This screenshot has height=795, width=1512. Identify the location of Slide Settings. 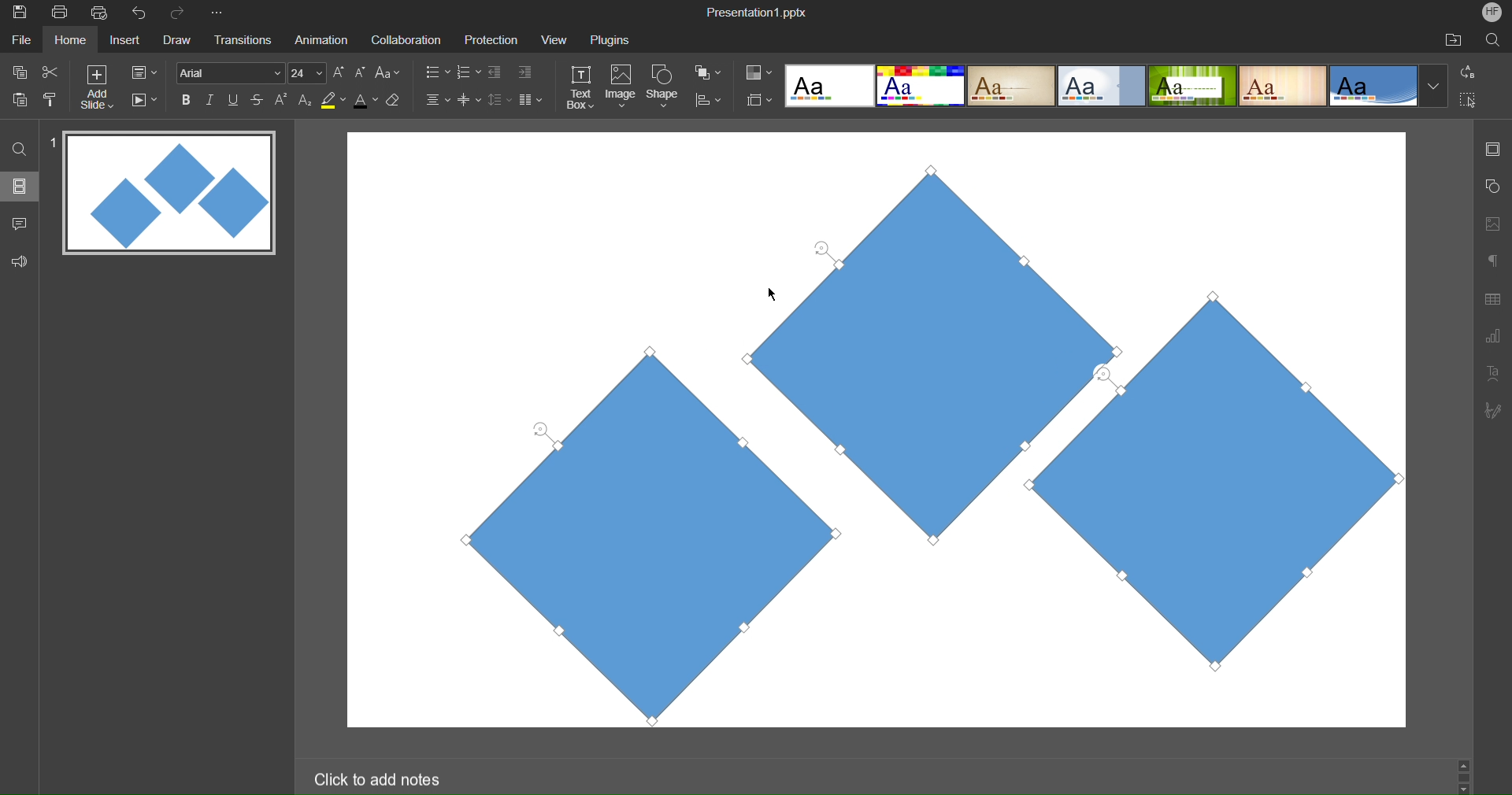
(144, 72).